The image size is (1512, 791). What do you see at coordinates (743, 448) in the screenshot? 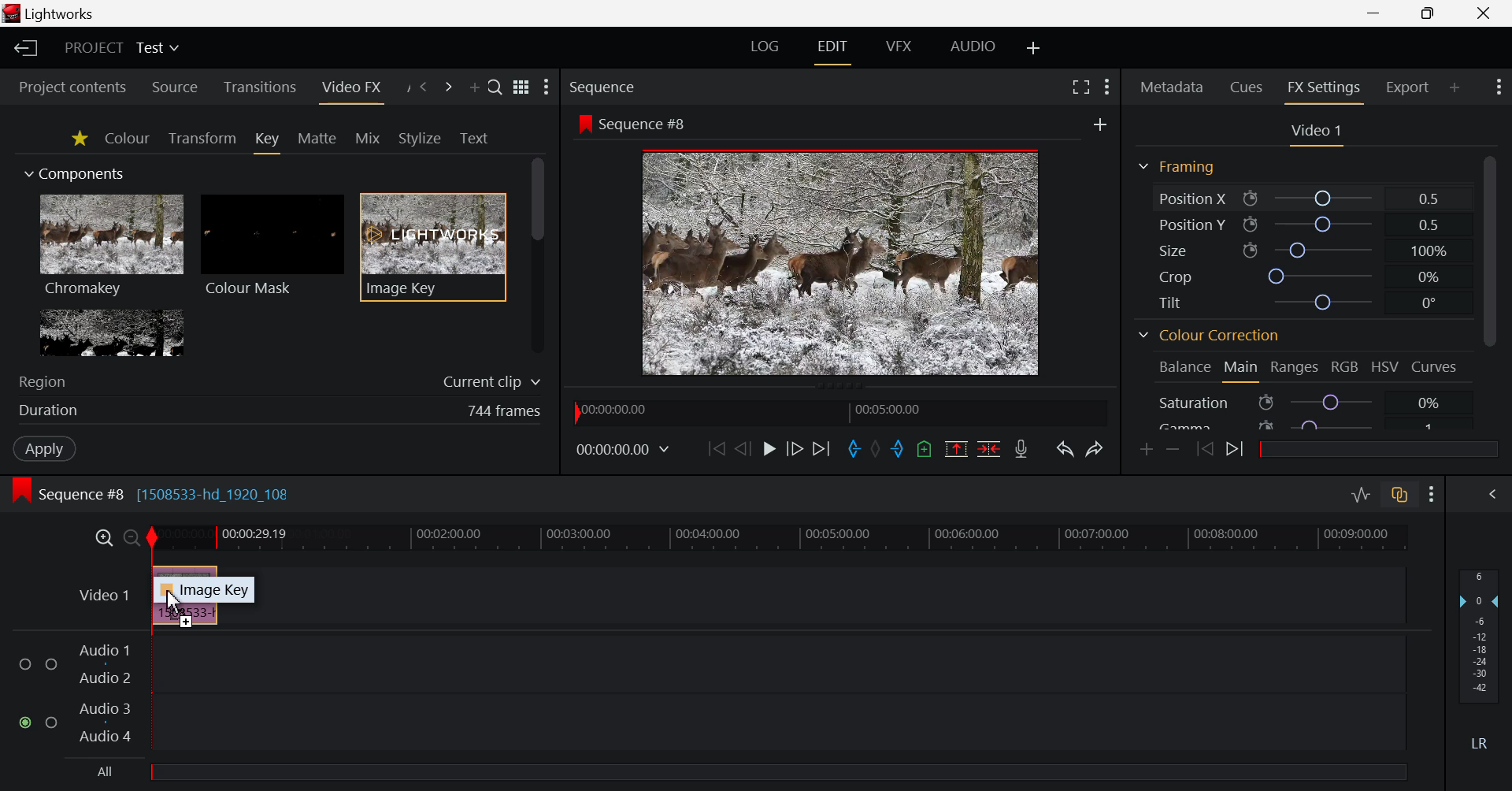
I see `Go Back` at bounding box center [743, 448].